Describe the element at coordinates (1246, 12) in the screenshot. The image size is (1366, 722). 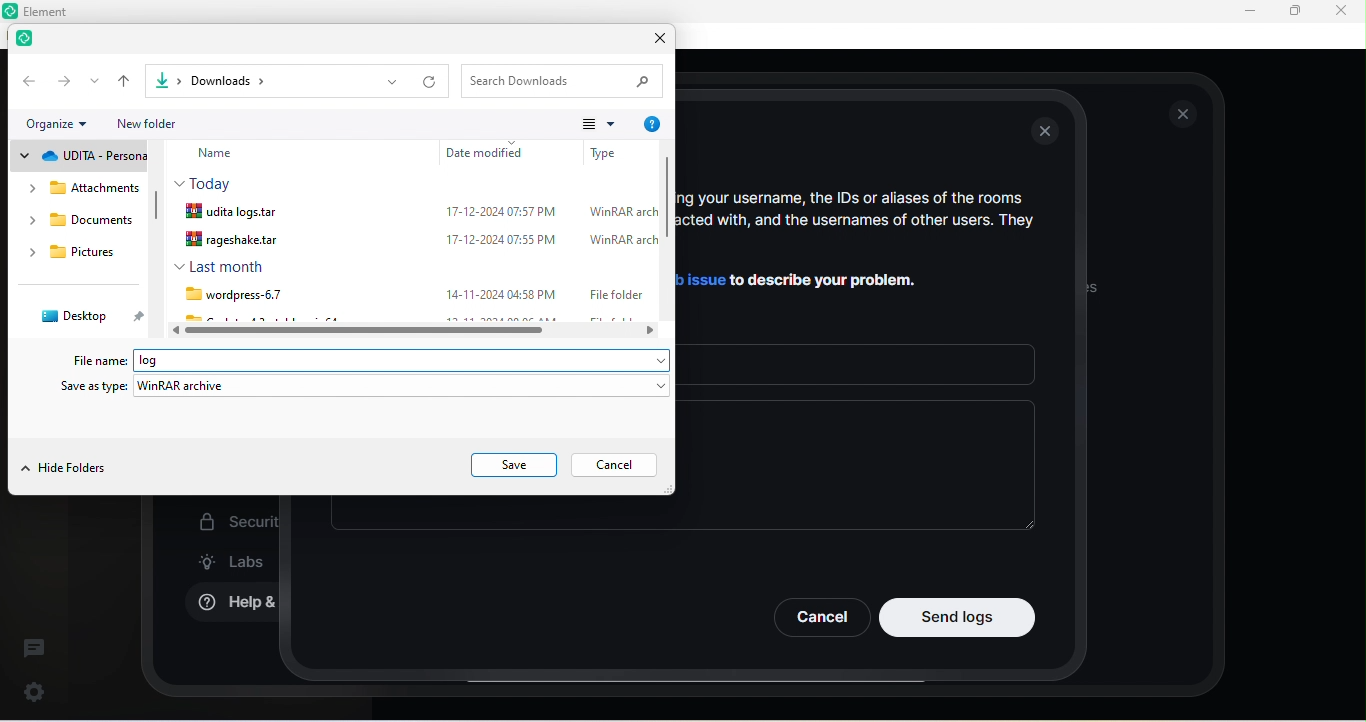
I see `minimize` at that location.